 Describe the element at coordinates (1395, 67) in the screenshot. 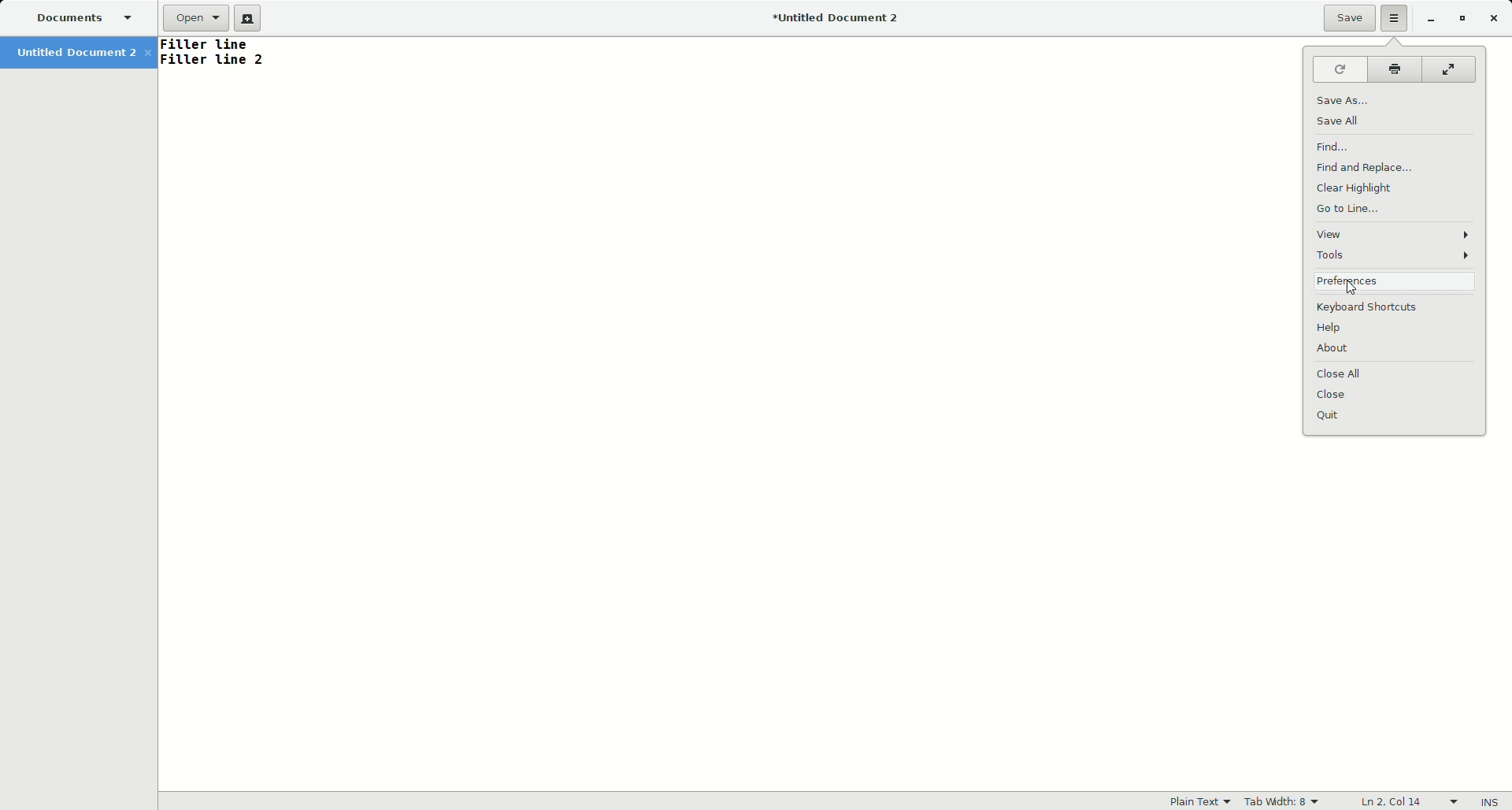

I see `Print` at that location.